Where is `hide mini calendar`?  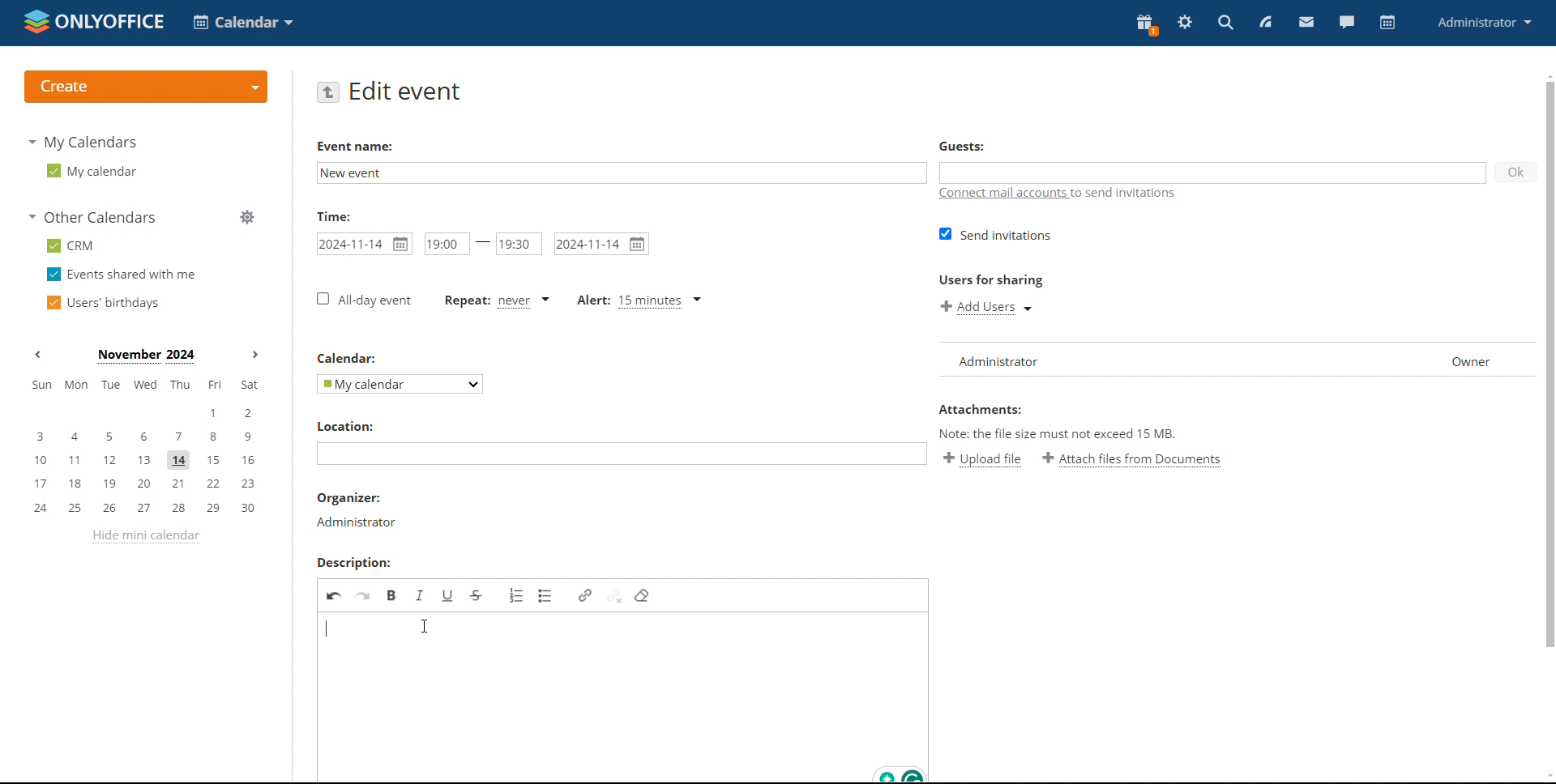
hide mini calendar is located at coordinates (146, 538).